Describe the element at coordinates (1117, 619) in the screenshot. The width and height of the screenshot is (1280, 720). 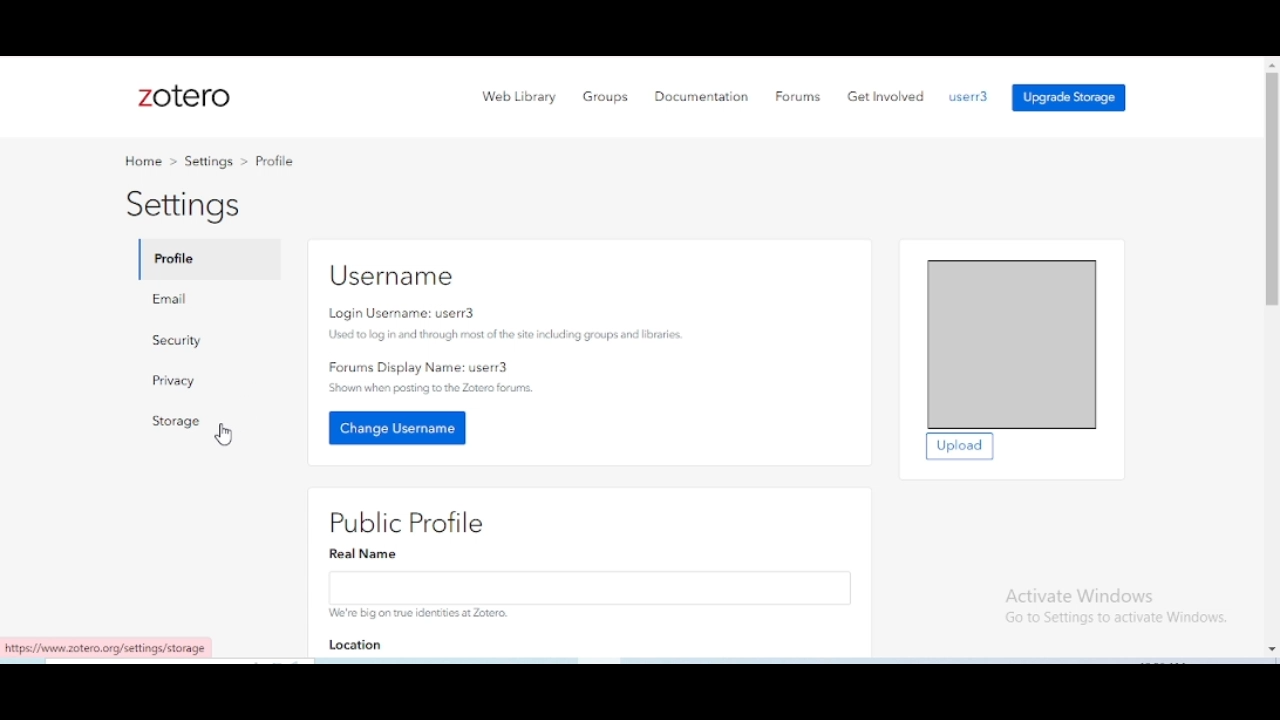
I see `` at that location.